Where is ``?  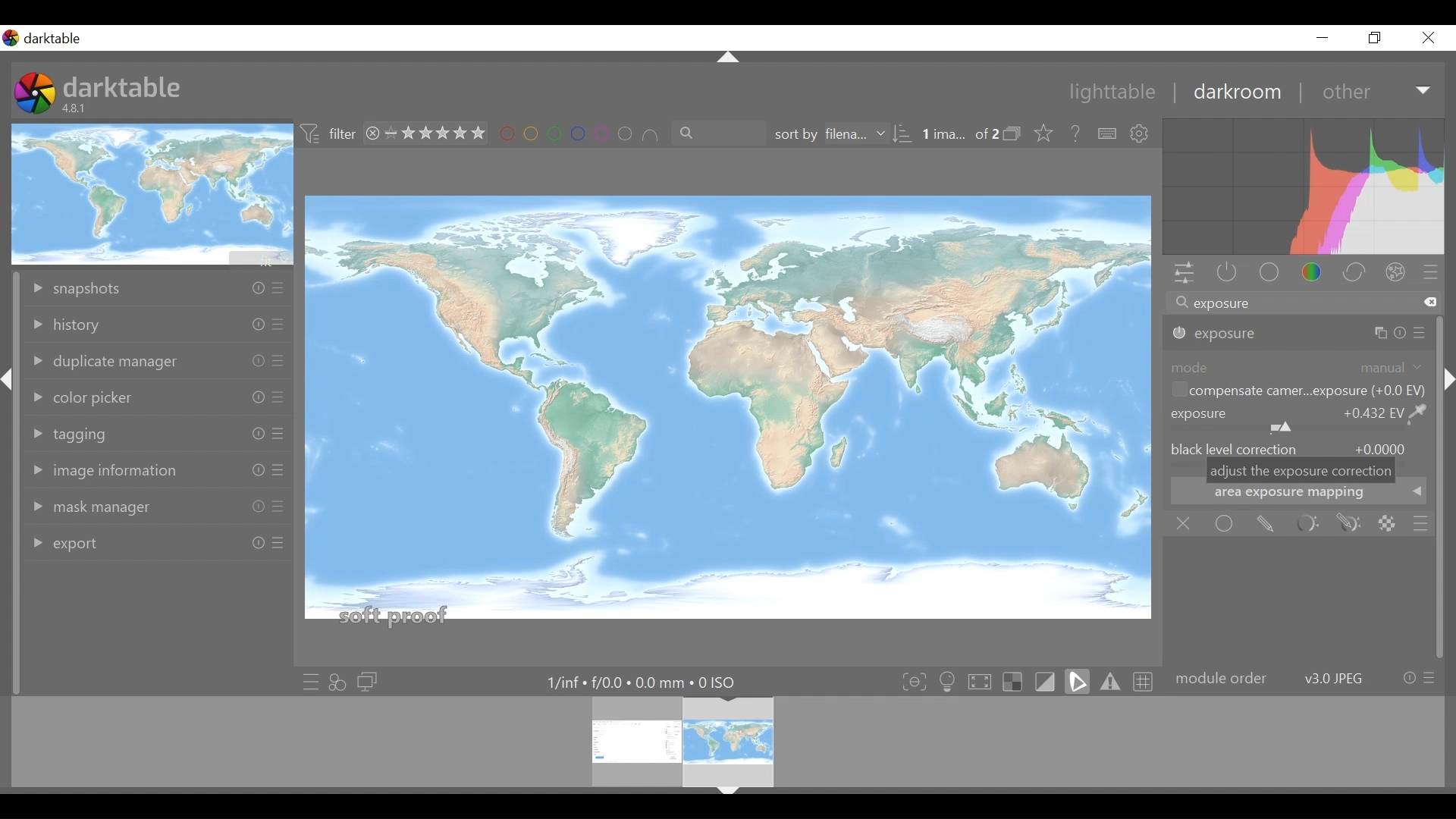  is located at coordinates (278, 399).